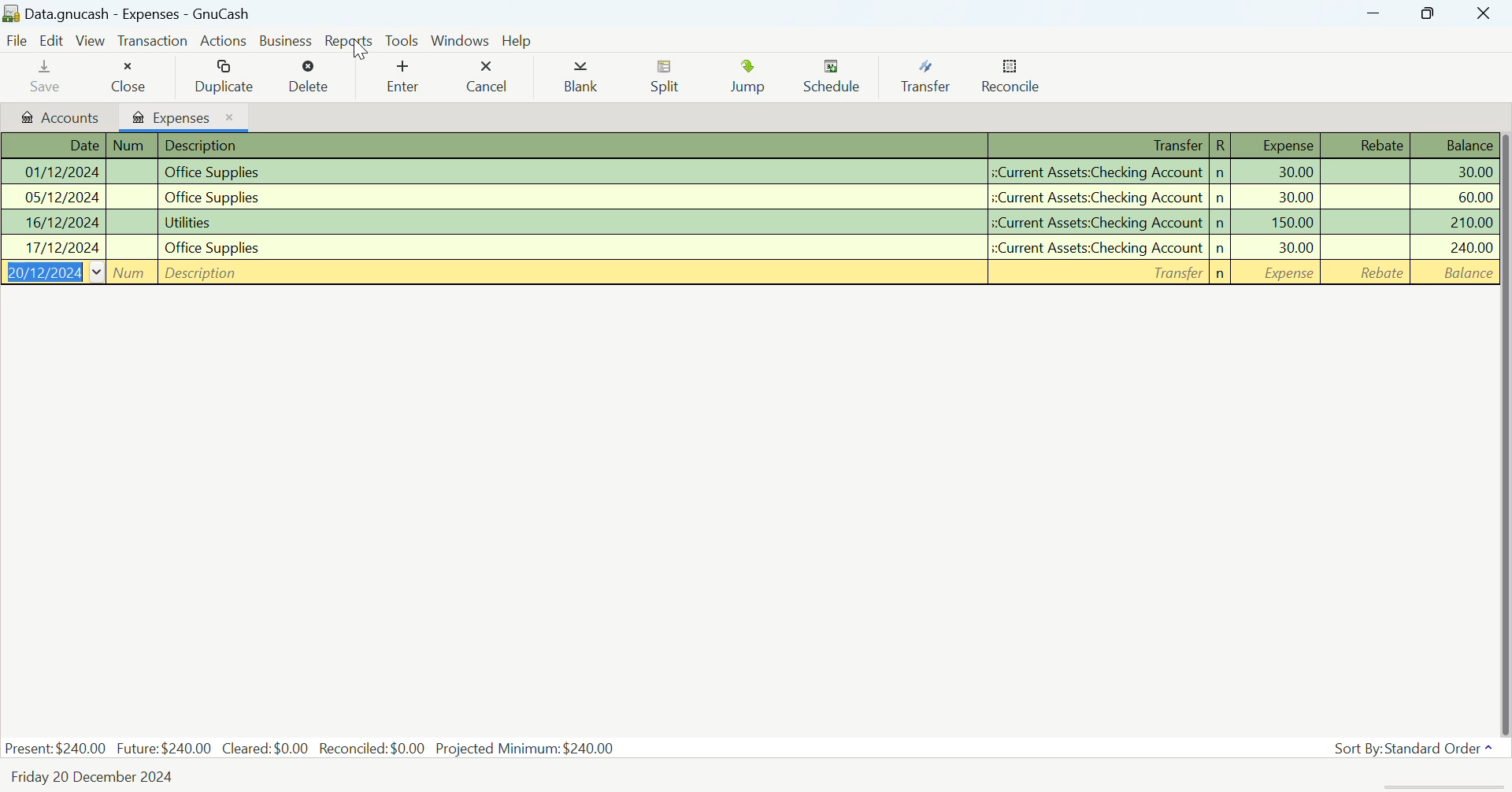 This screenshot has height=792, width=1512. What do you see at coordinates (131, 77) in the screenshot?
I see `Close` at bounding box center [131, 77].